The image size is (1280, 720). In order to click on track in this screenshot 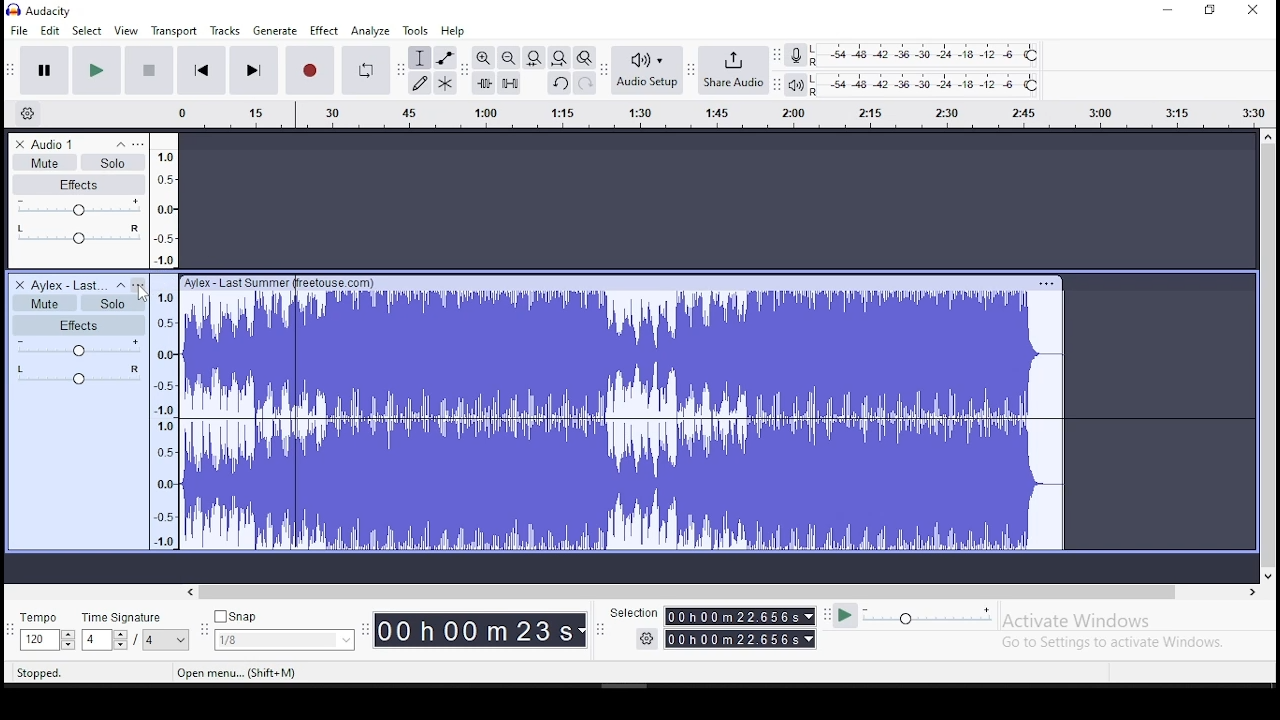, I will do `click(715, 411)`.